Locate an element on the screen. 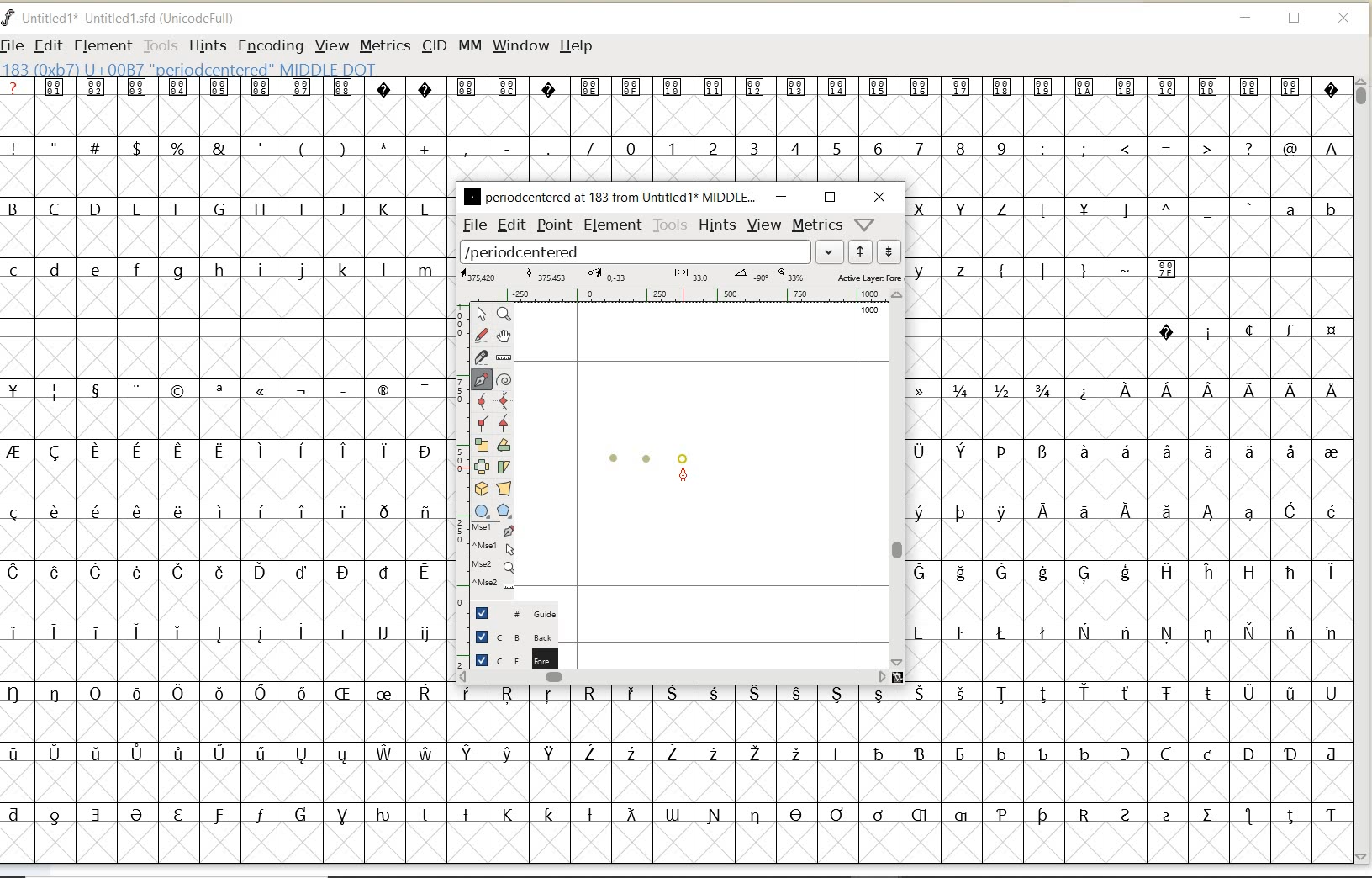 The height and width of the screenshot is (878, 1372). Rotate the selection is located at coordinates (504, 445).